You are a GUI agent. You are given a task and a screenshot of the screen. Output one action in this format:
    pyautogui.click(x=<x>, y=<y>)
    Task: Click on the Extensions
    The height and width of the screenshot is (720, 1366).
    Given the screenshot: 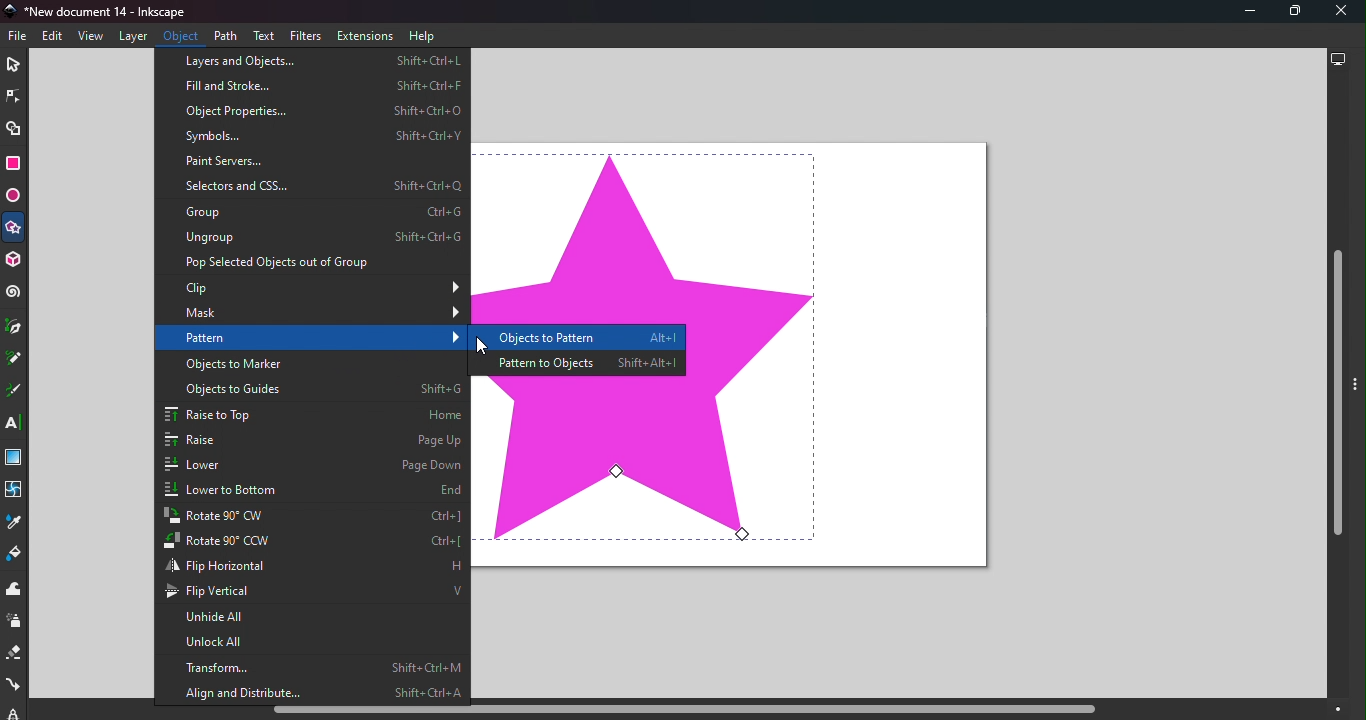 What is the action you would take?
    pyautogui.click(x=369, y=36)
    